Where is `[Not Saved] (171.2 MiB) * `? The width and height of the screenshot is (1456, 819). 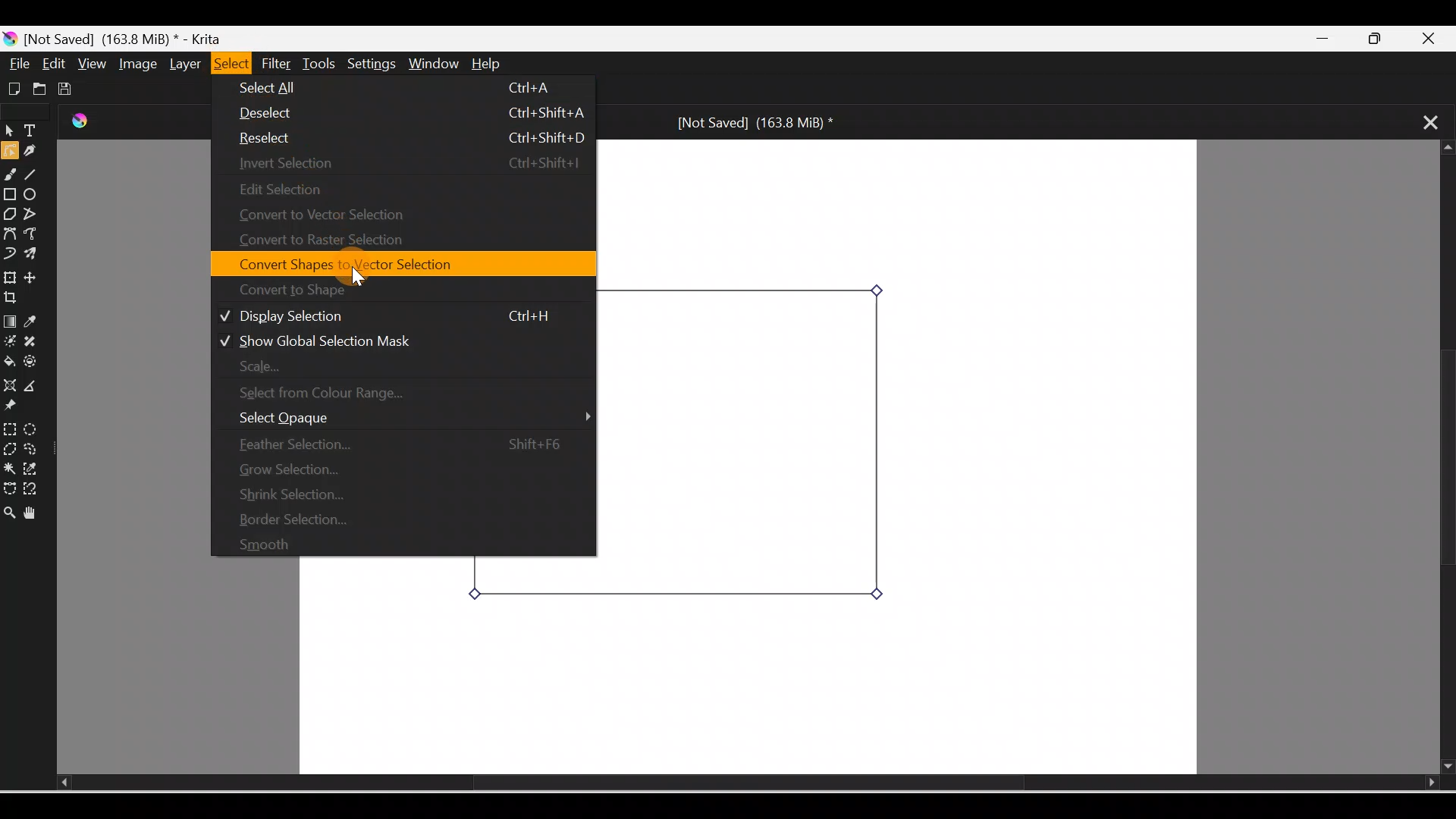 [Not Saved] (171.2 MiB) *  is located at coordinates (751, 121).